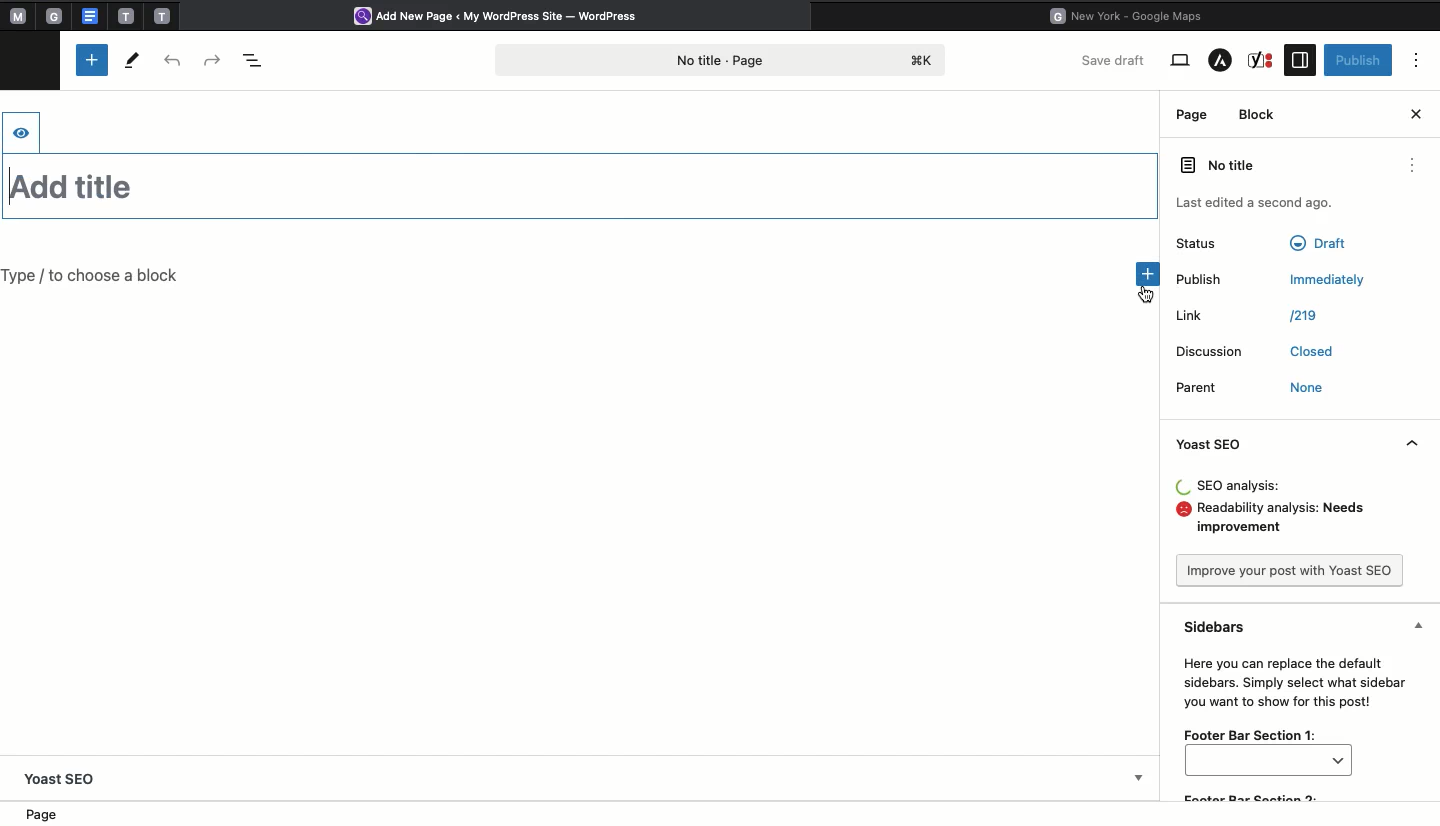 The image size is (1440, 826). Describe the element at coordinates (1258, 203) in the screenshot. I see `last edited a second ago` at that location.